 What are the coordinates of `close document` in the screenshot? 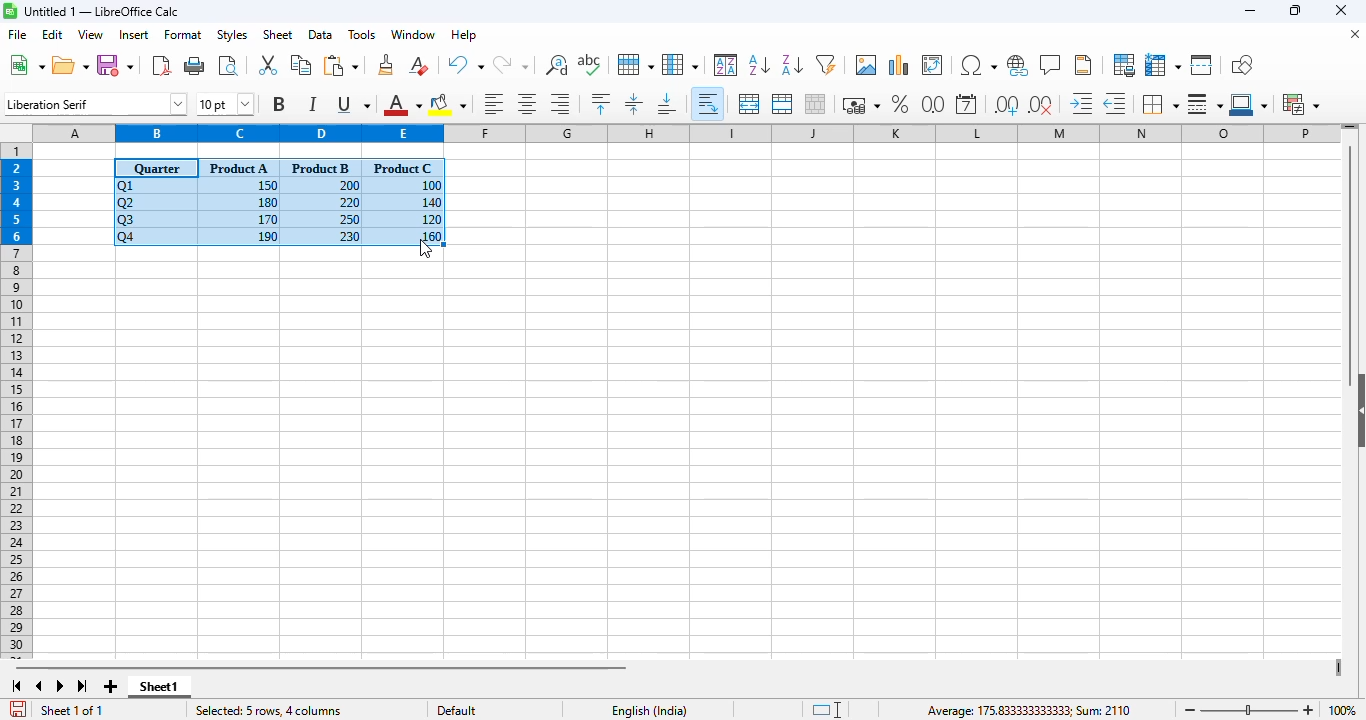 It's located at (1355, 34).